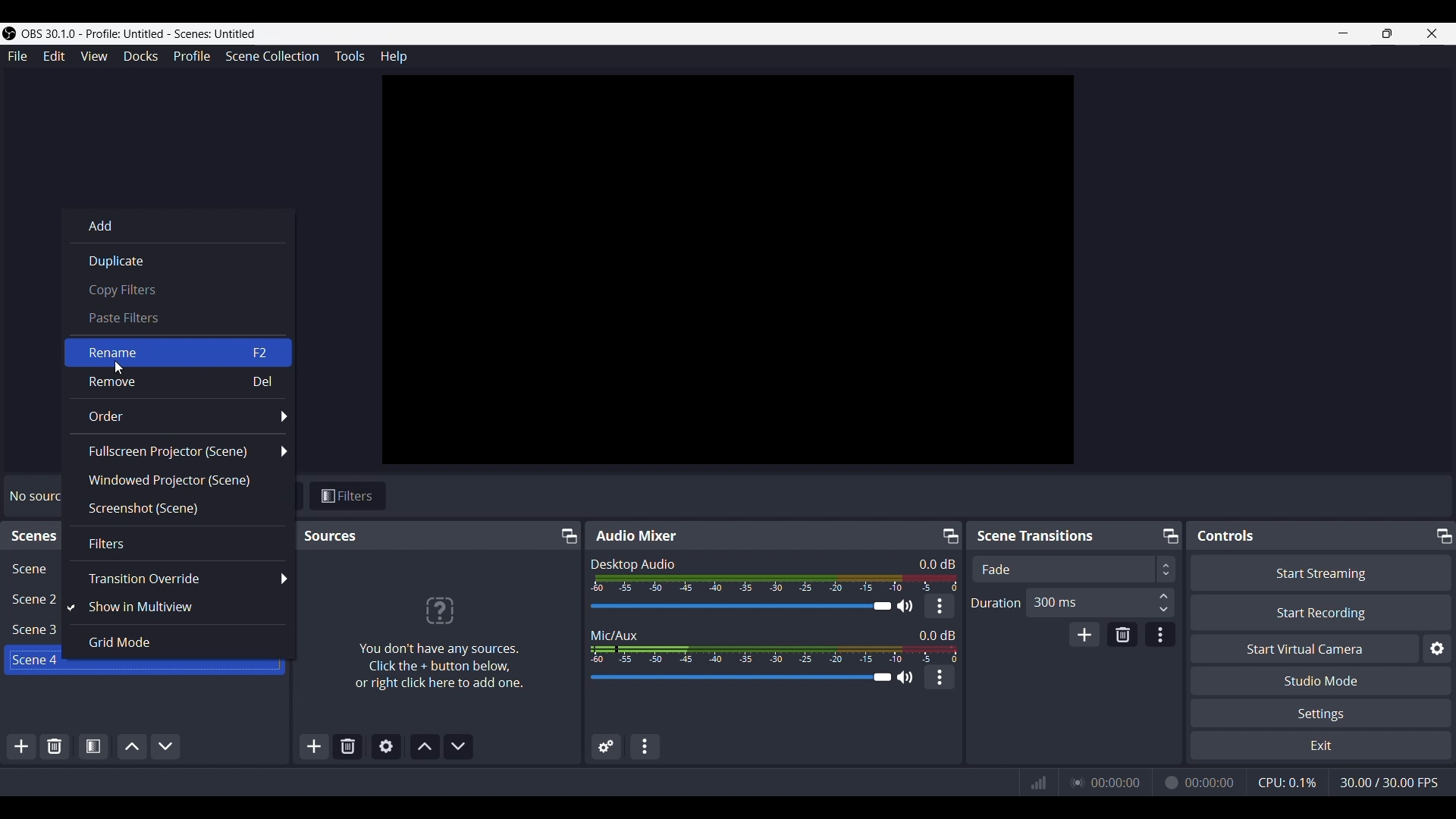 The width and height of the screenshot is (1456, 819). I want to click on Add, so click(99, 225).